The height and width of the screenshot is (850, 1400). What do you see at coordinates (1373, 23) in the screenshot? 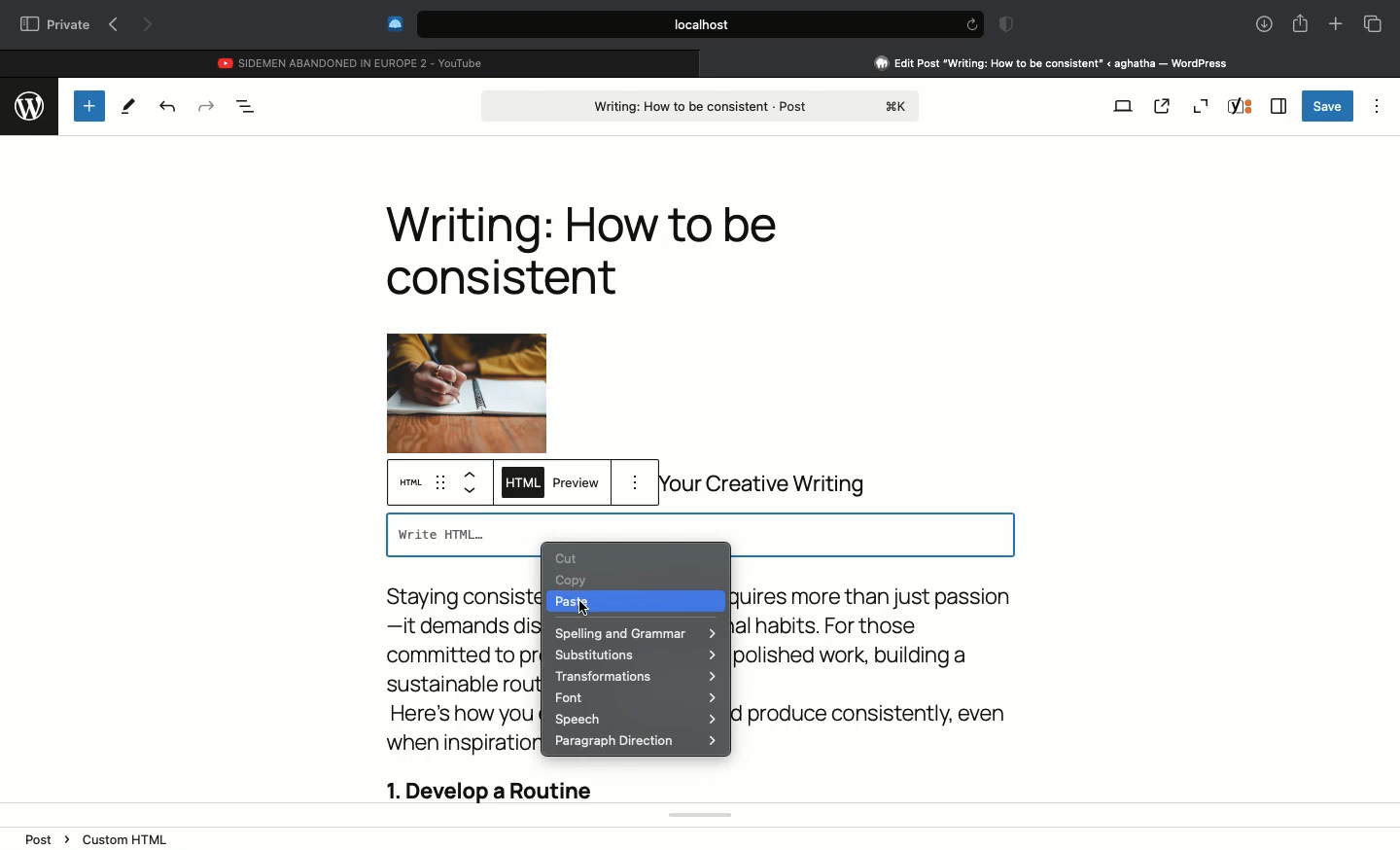
I see `Tabs` at bounding box center [1373, 23].